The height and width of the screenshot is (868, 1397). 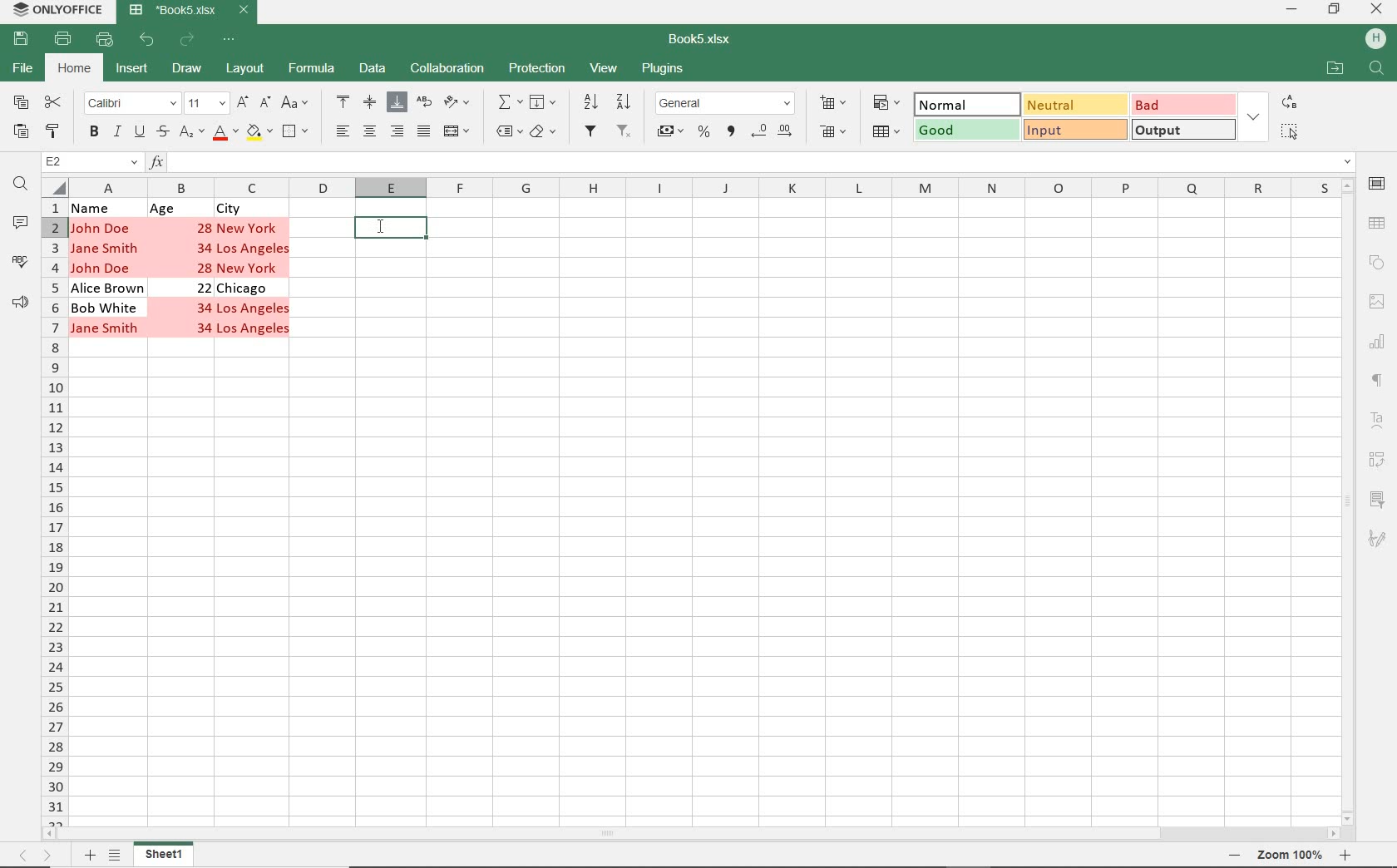 What do you see at coordinates (131, 104) in the screenshot?
I see `FONT` at bounding box center [131, 104].